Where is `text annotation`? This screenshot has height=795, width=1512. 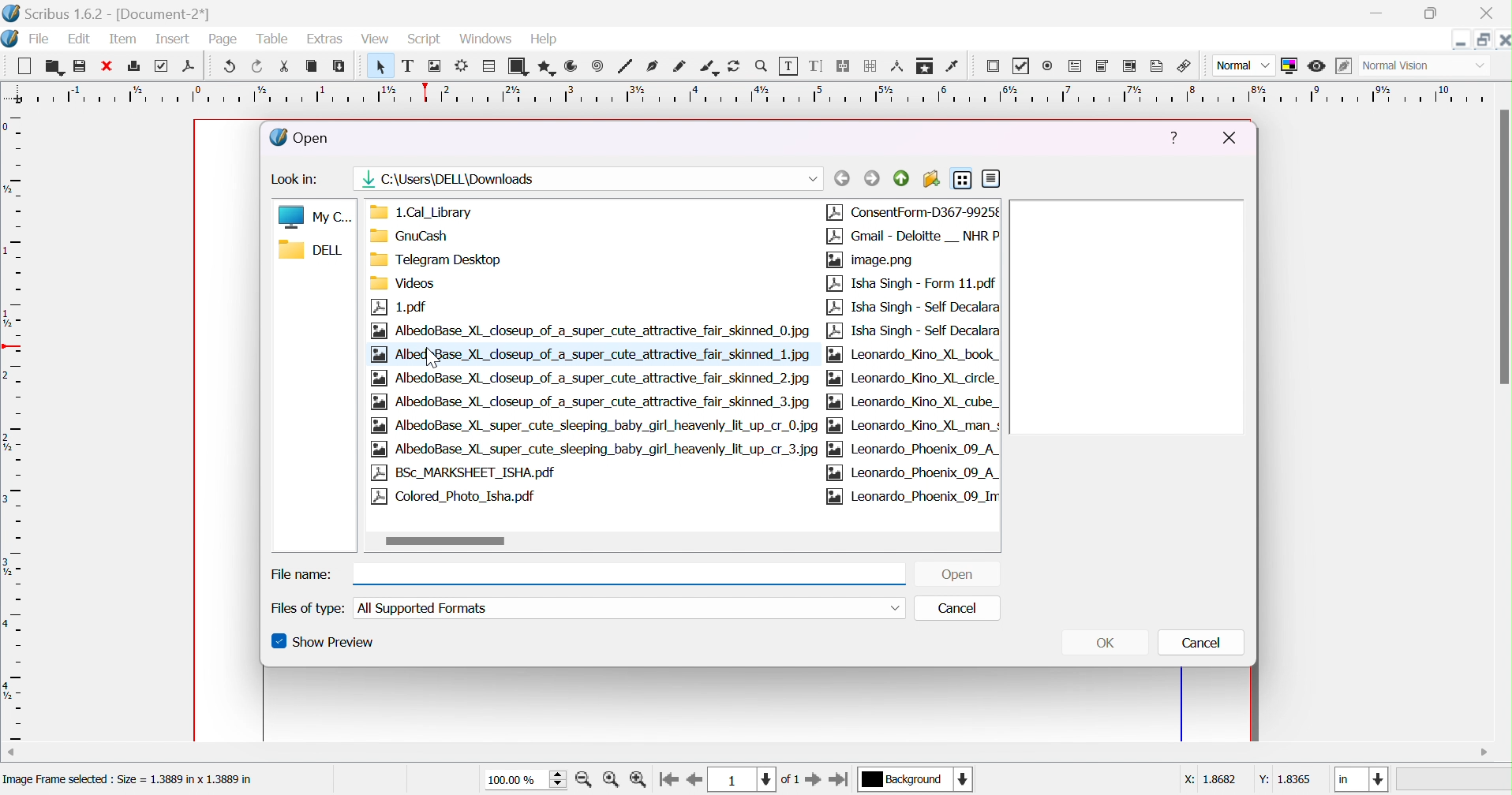 text annotation is located at coordinates (1158, 64).